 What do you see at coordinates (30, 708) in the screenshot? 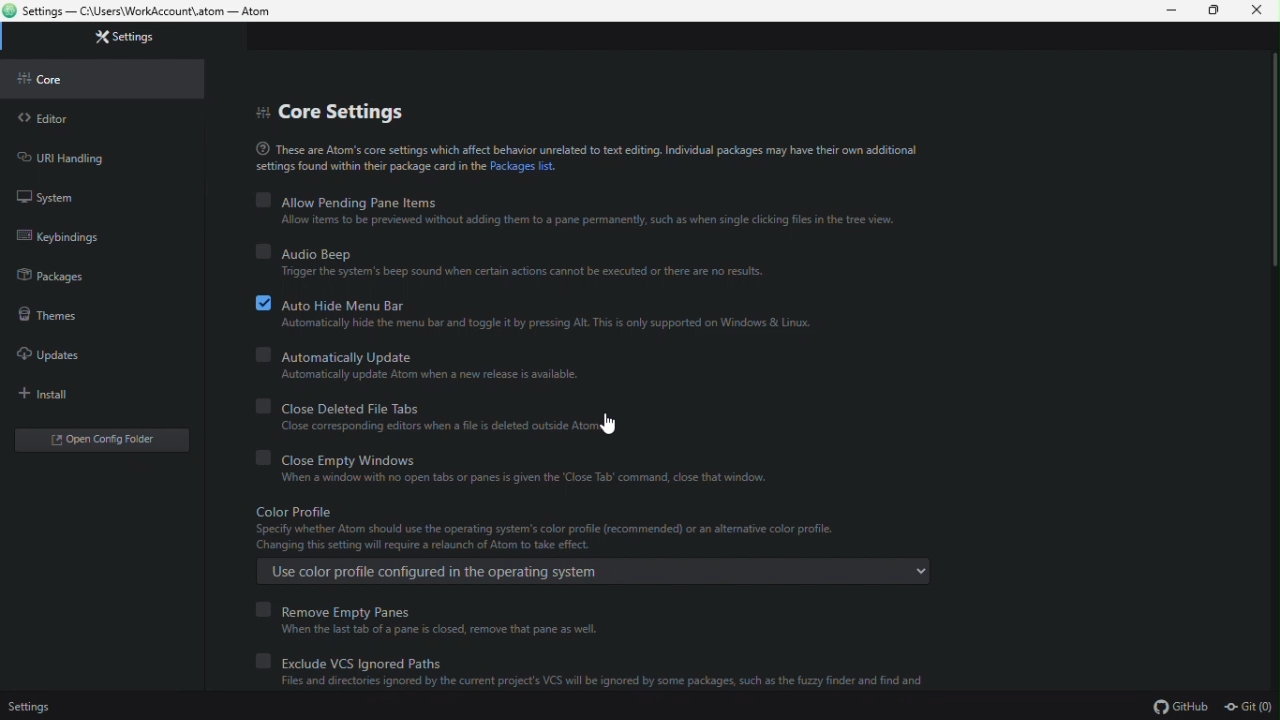
I see `settings` at bounding box center [30, 708].